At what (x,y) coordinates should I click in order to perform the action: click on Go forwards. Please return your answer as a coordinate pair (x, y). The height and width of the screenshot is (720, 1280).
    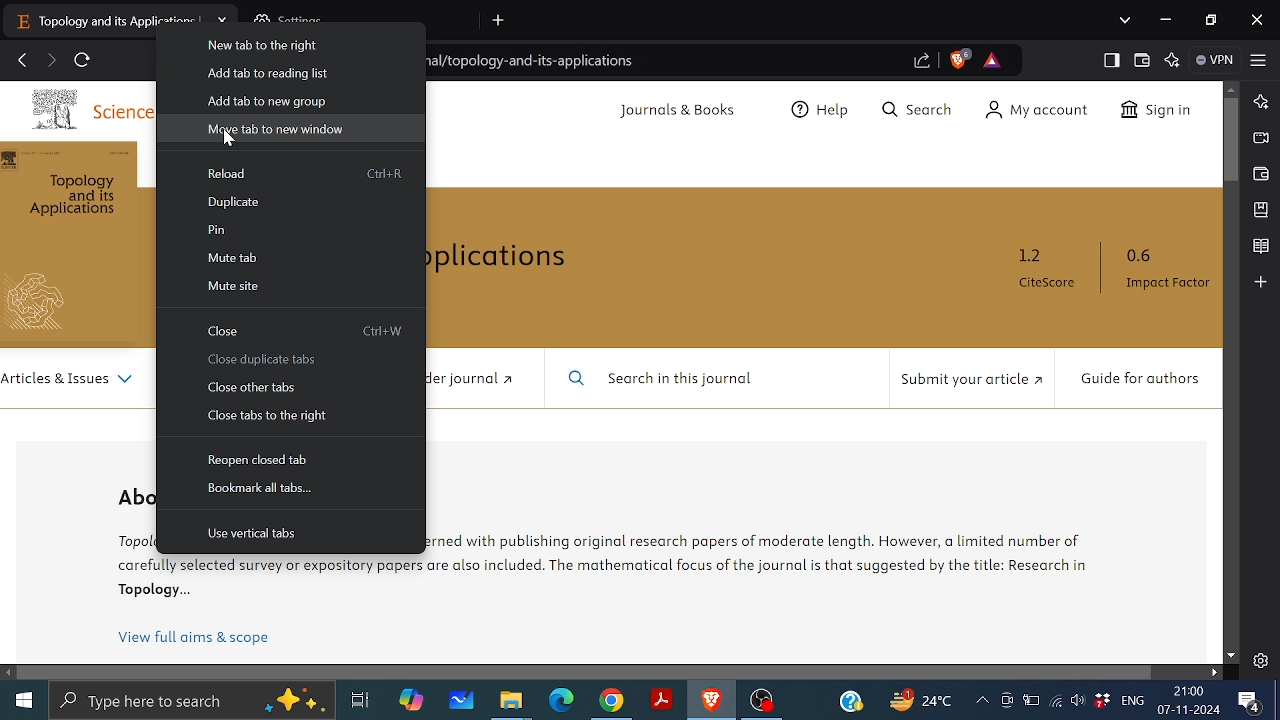
    Looking at the image, I should click on (50, 59).